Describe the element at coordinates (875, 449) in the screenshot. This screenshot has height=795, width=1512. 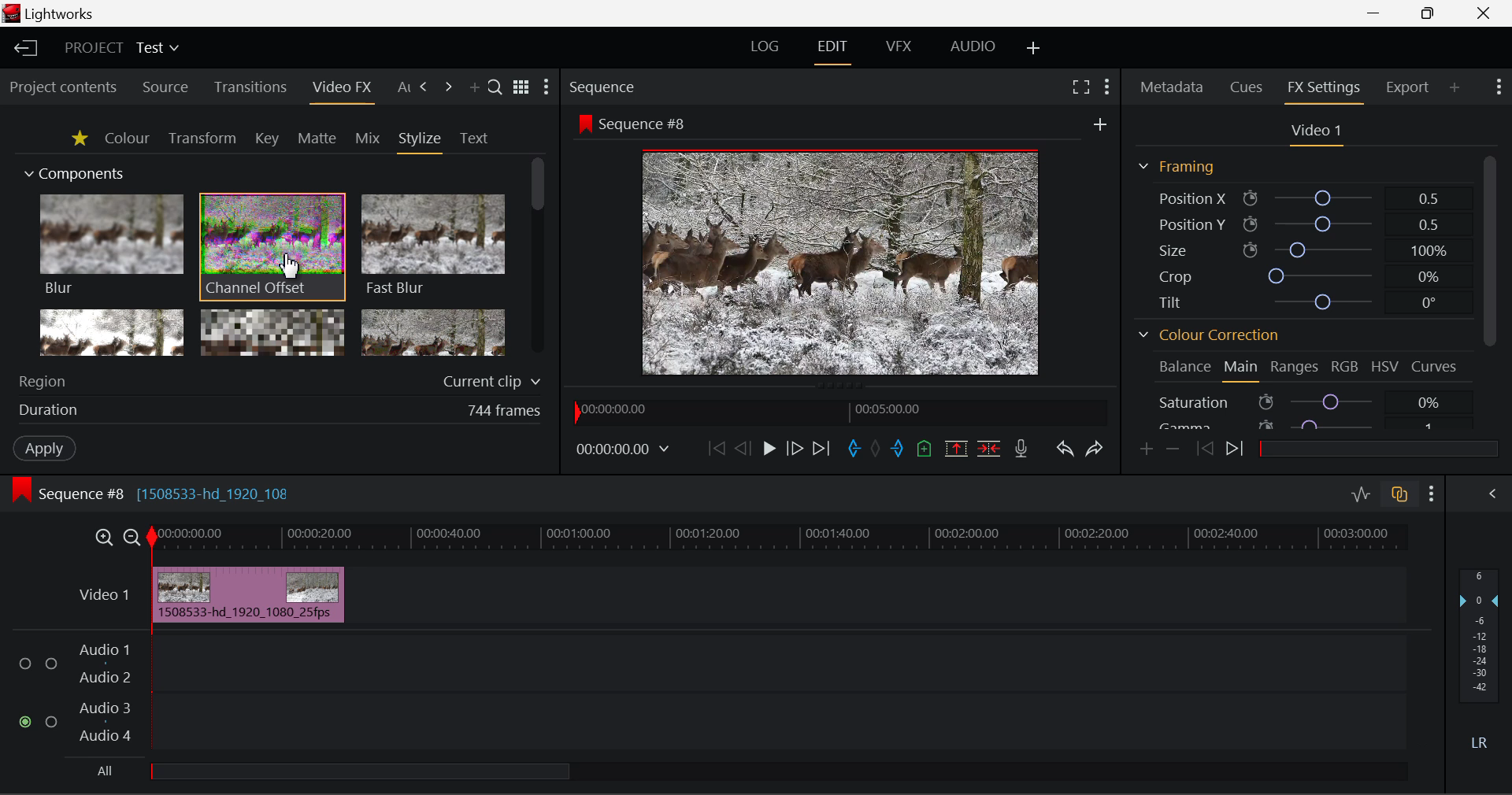
I see `Remove All Marks` at that location.